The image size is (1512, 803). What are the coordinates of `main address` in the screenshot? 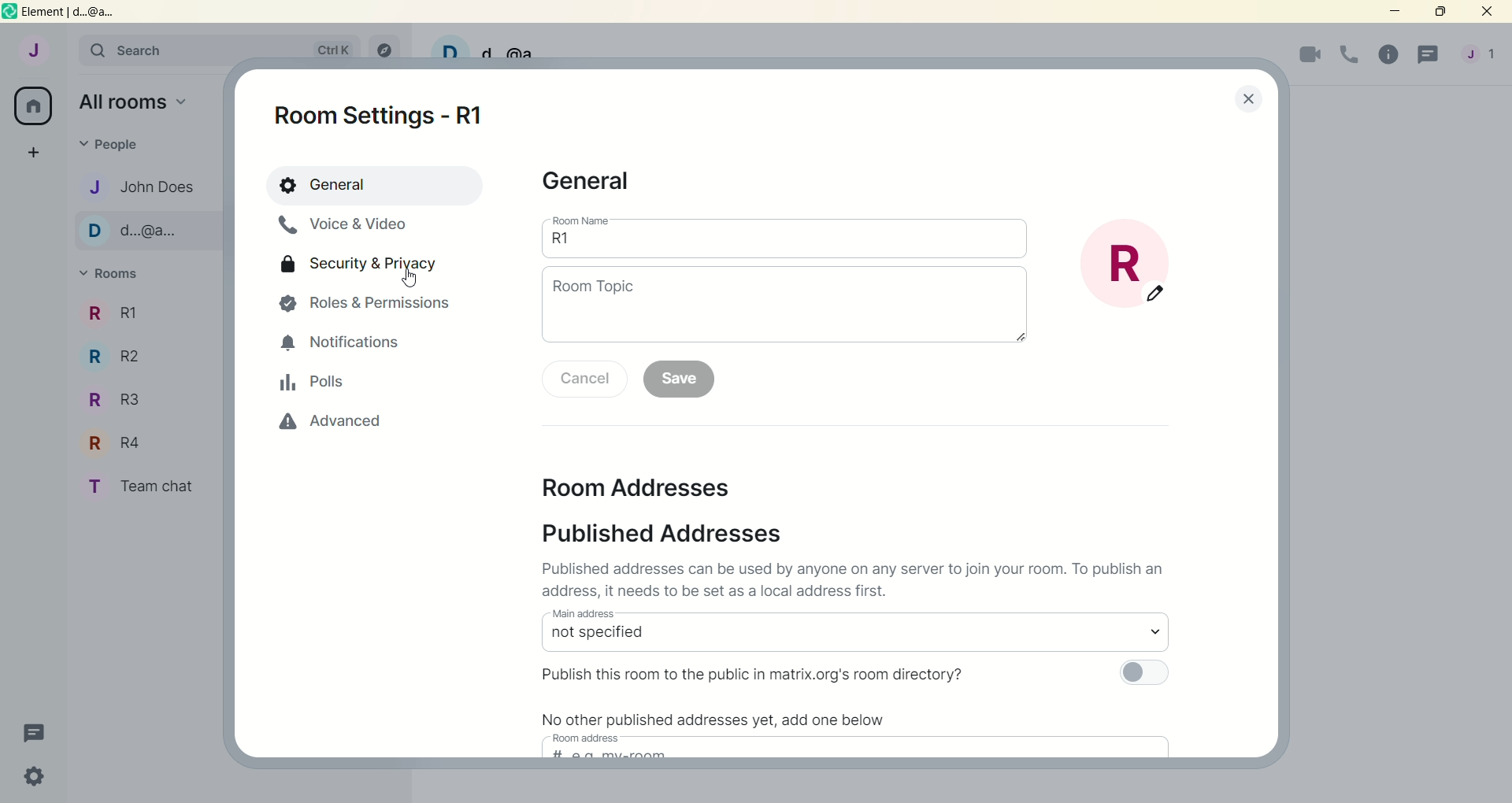 It's located at (850, 633).